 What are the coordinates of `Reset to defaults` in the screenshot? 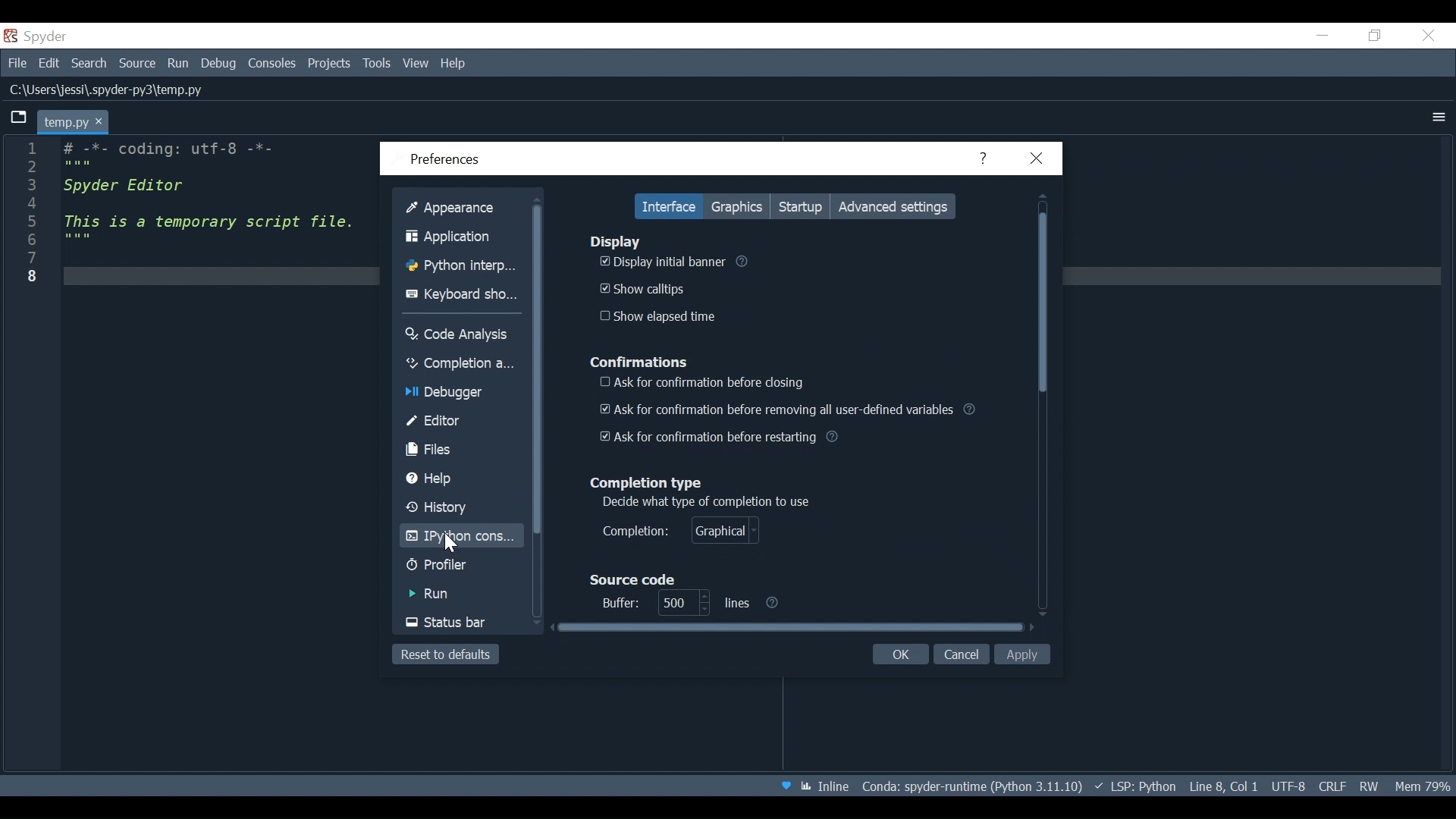 It's located at (444, 654).